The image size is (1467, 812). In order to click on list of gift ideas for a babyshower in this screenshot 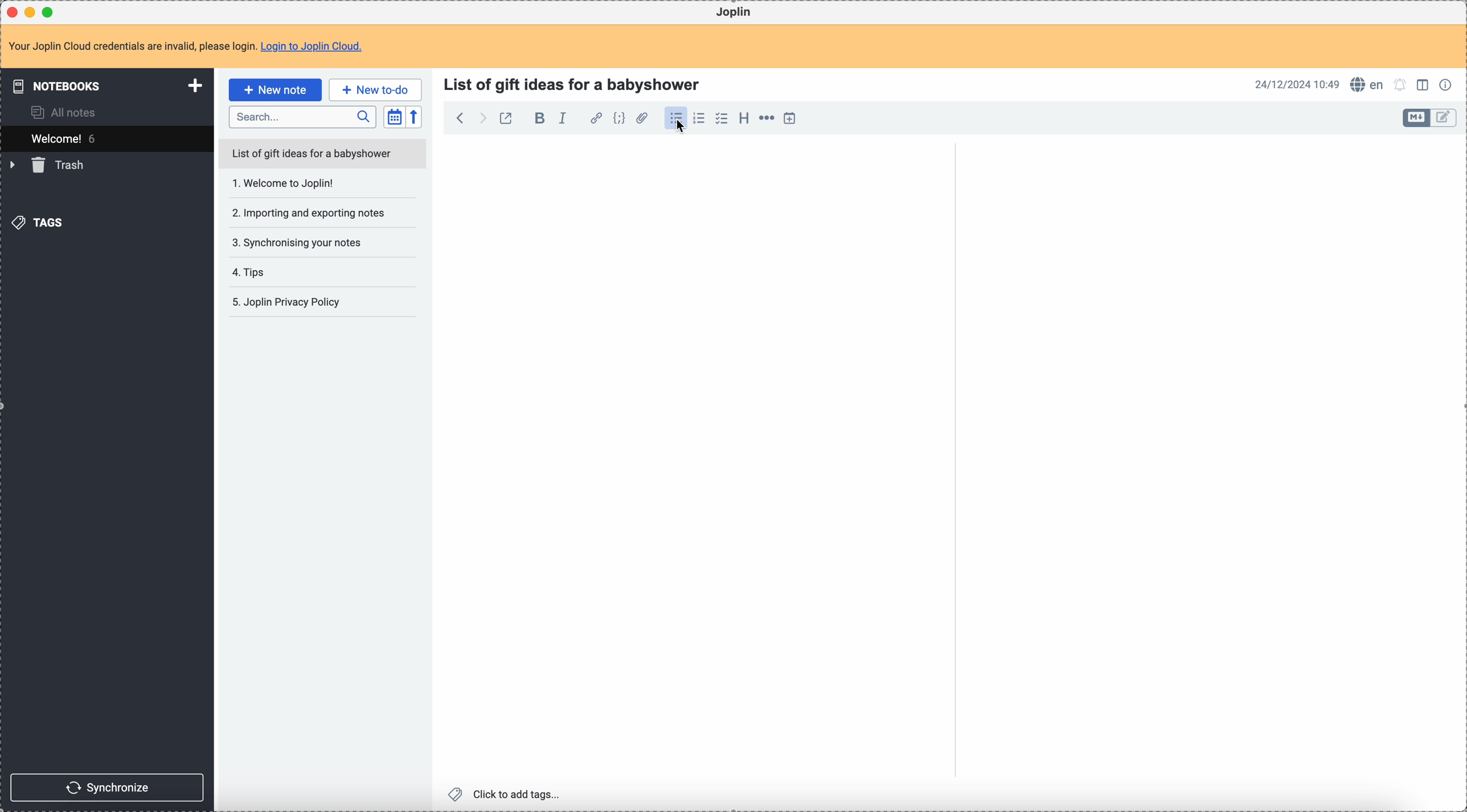, I will do `click(324, 155)`.